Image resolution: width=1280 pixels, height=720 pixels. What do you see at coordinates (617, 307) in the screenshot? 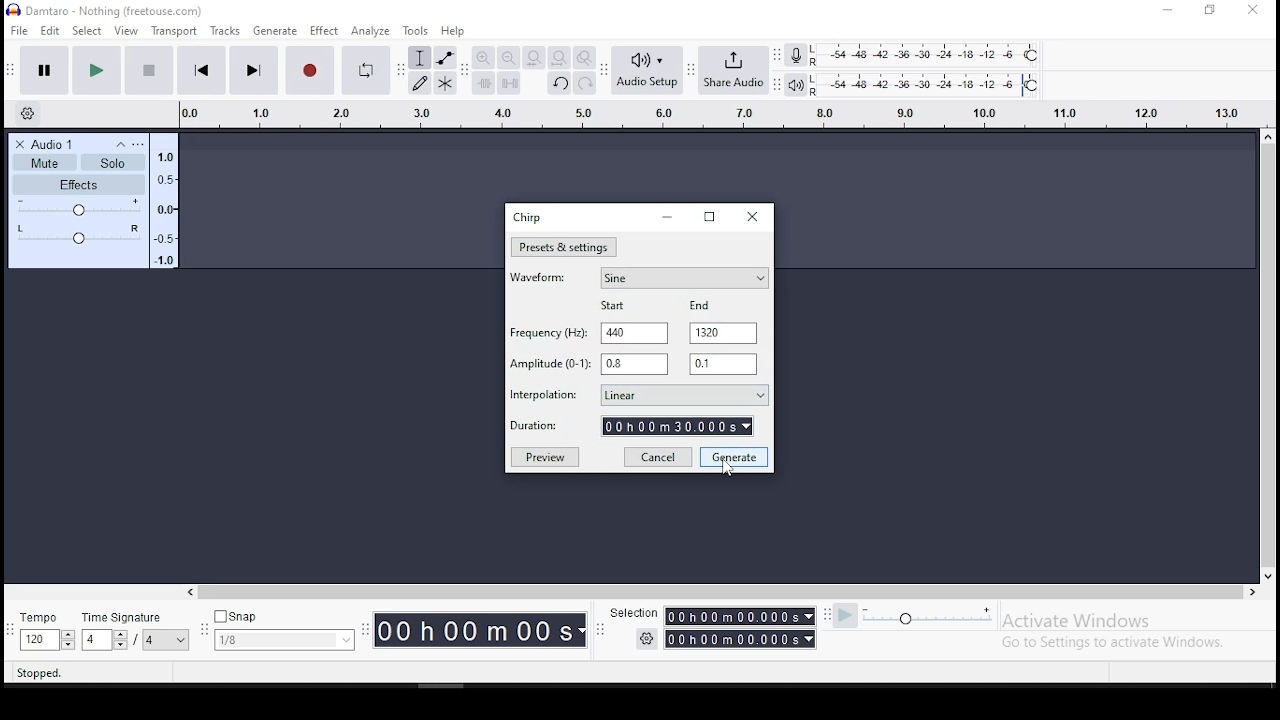
I see `start` at bounding box center [617, 307].